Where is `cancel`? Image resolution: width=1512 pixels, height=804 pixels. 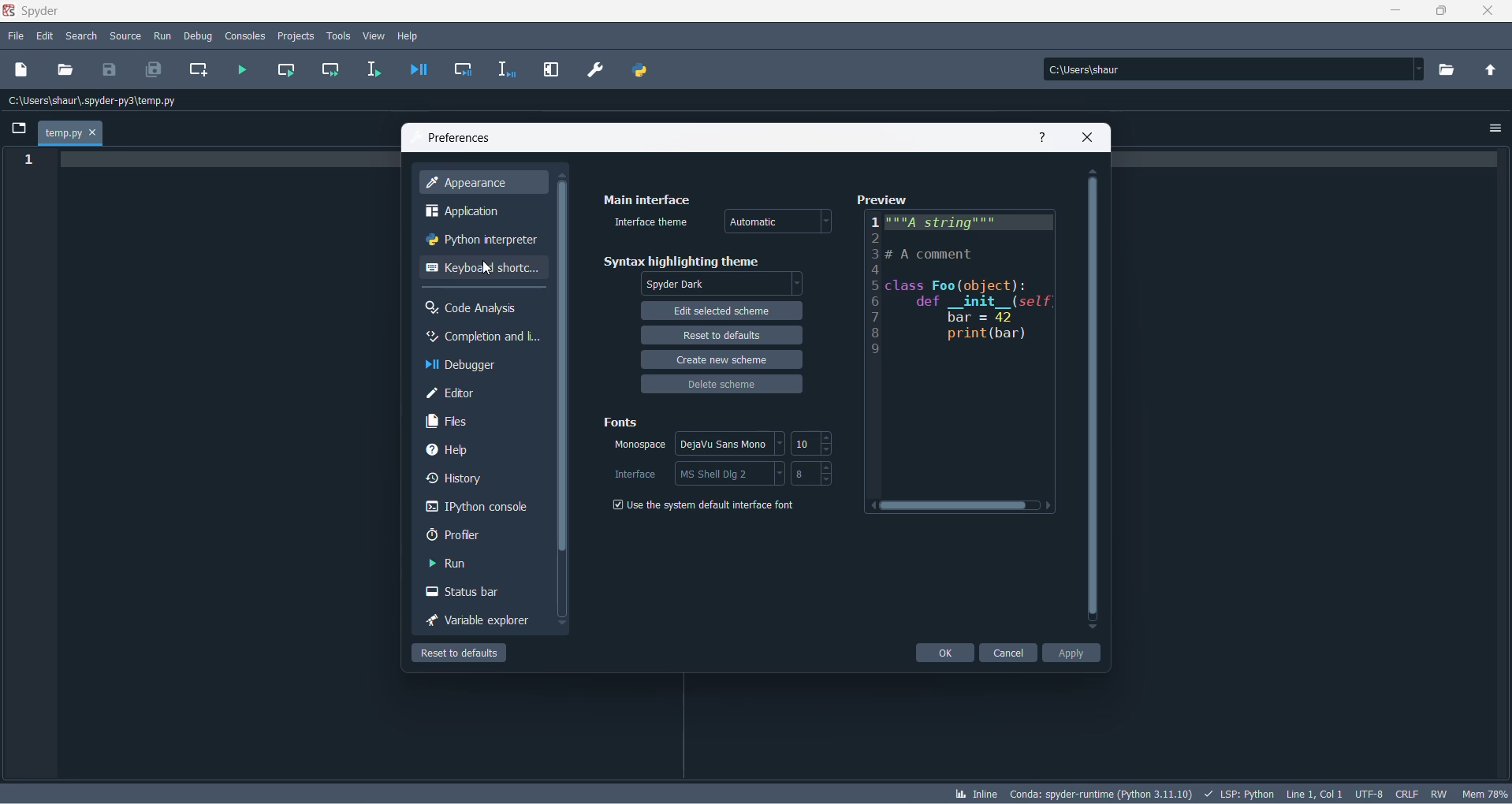 cancel is located at coordinates (1008, 654).